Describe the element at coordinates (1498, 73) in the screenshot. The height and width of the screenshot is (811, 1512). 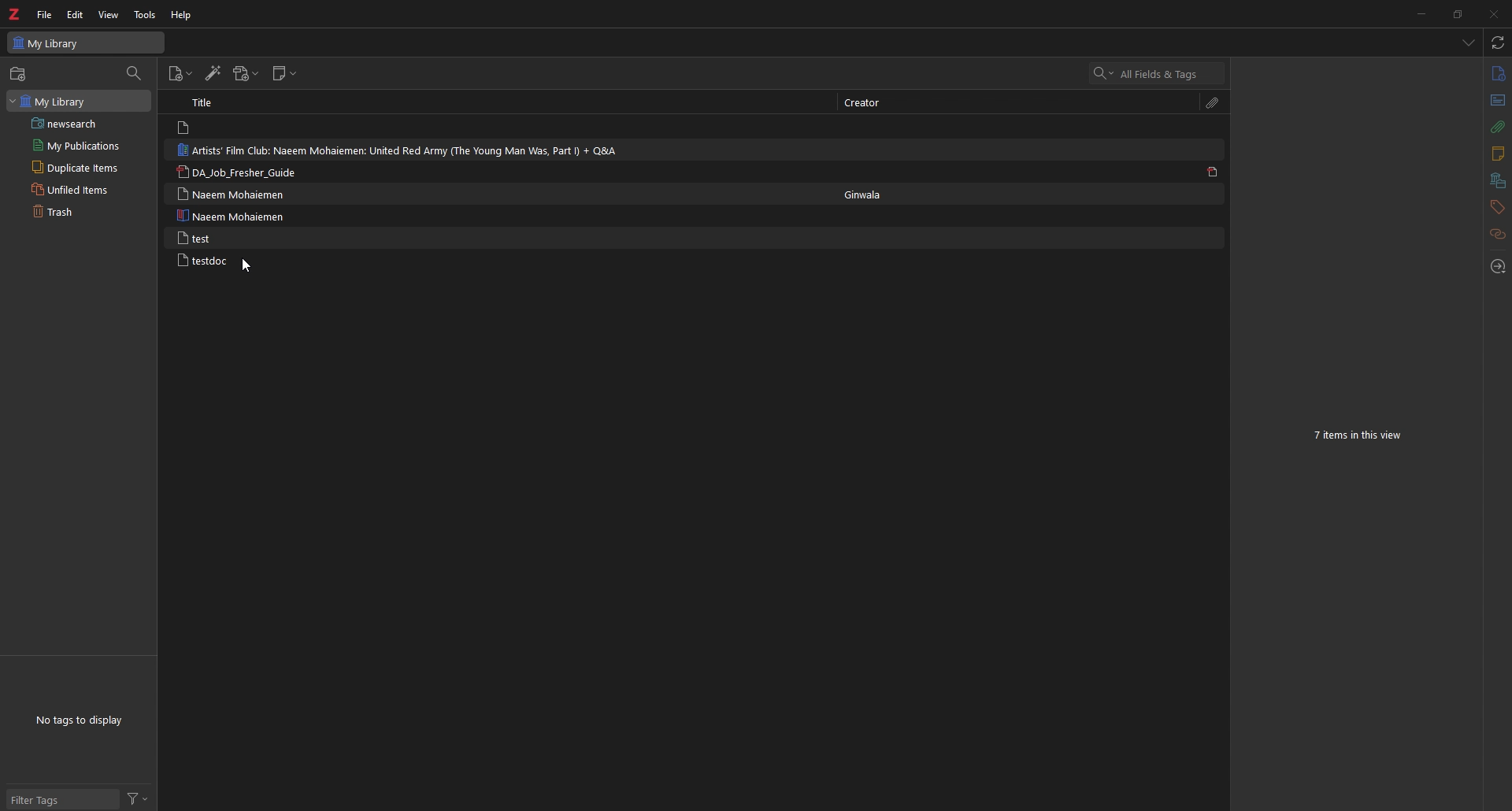
I see `info` at that location.